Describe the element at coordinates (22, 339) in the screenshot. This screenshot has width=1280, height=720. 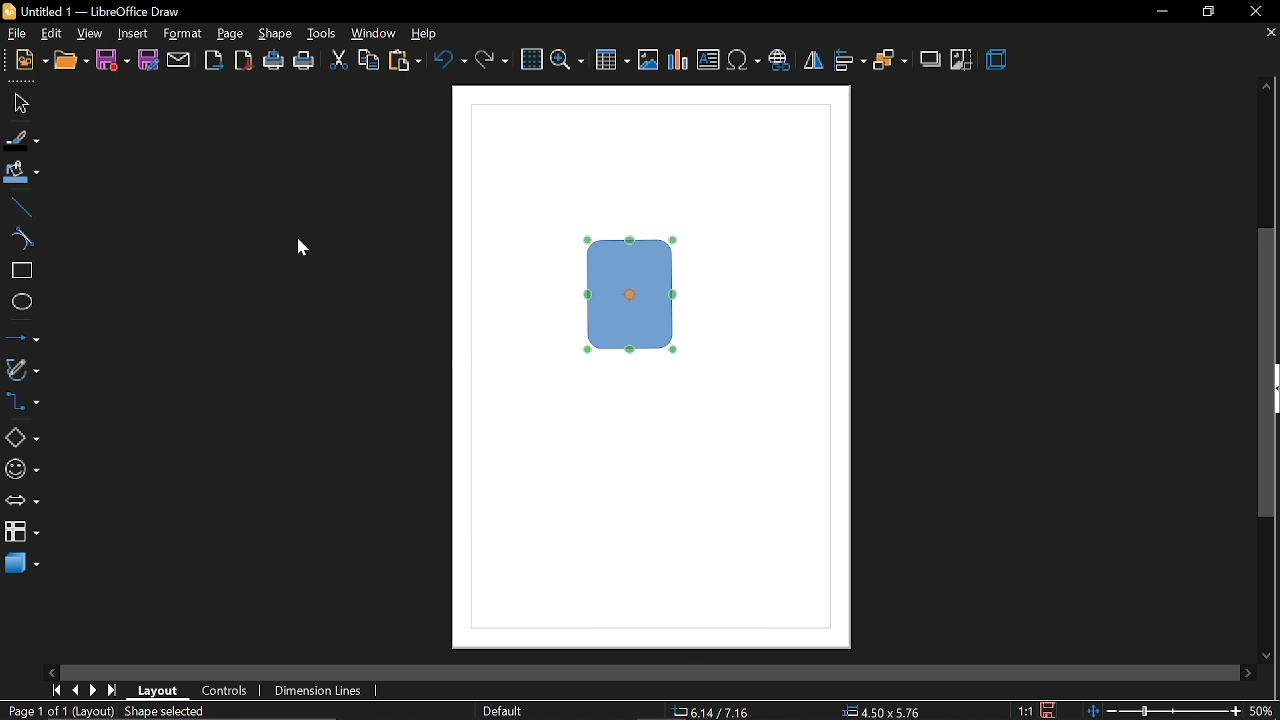
I see `lines and arrows` at that location.